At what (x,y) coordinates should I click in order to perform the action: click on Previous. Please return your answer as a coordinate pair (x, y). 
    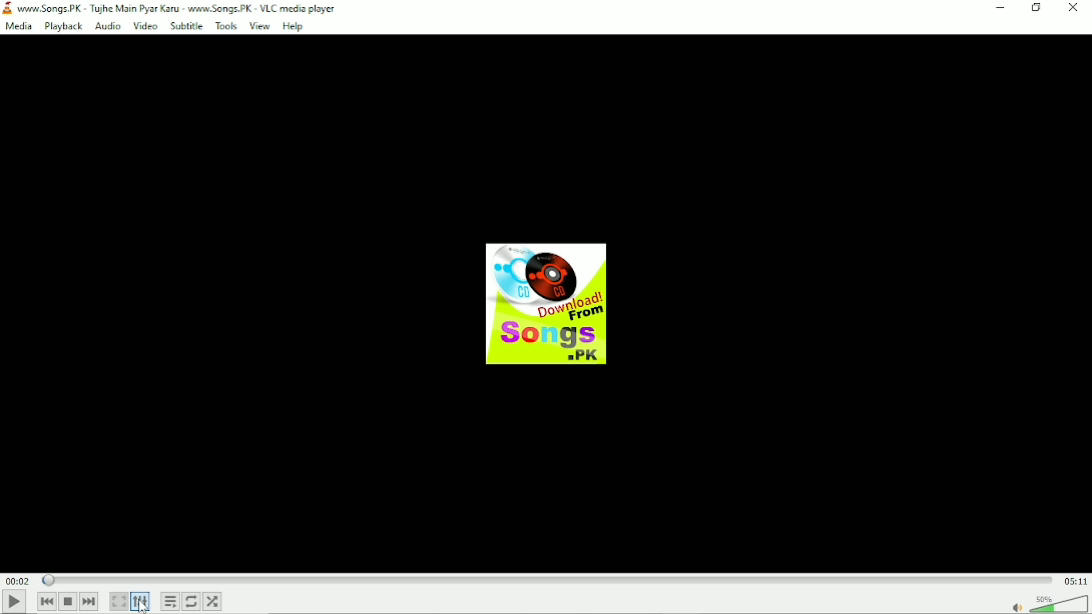
    Looking at the image, I should click on (46, 601).